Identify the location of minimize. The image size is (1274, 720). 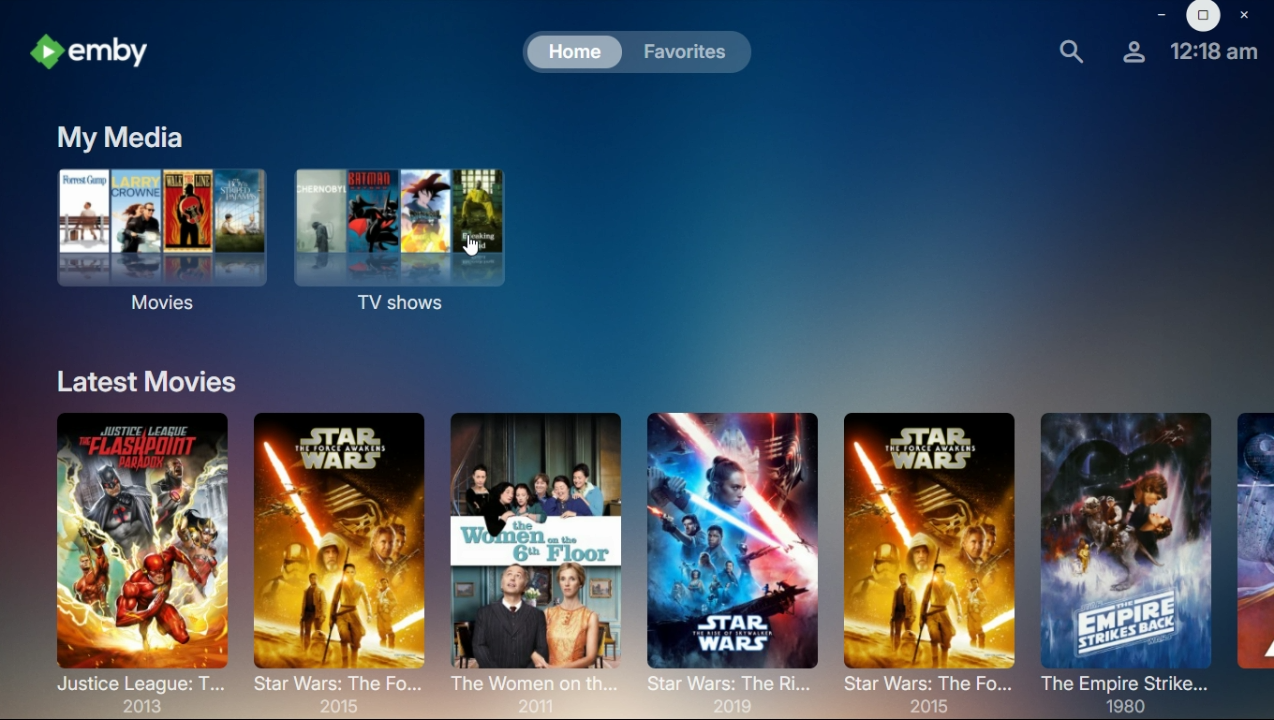
(1162, 13).